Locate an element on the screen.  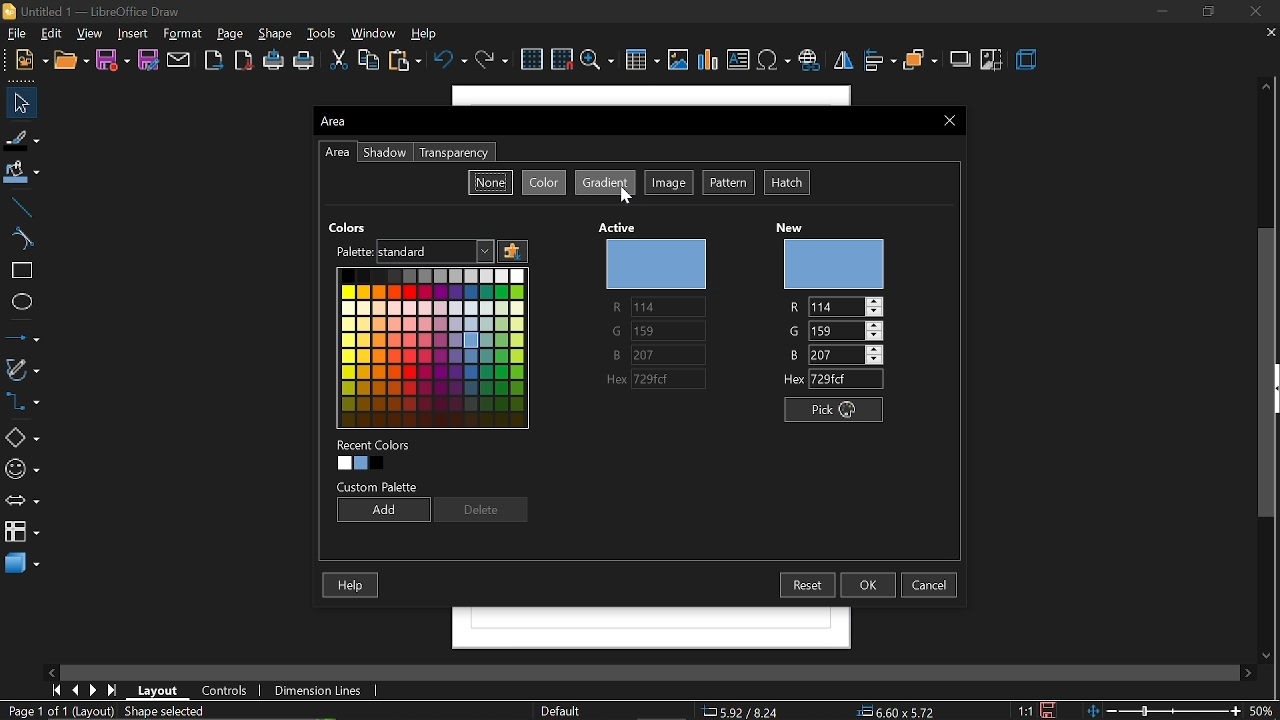
align is located at coordinates (880, 62).